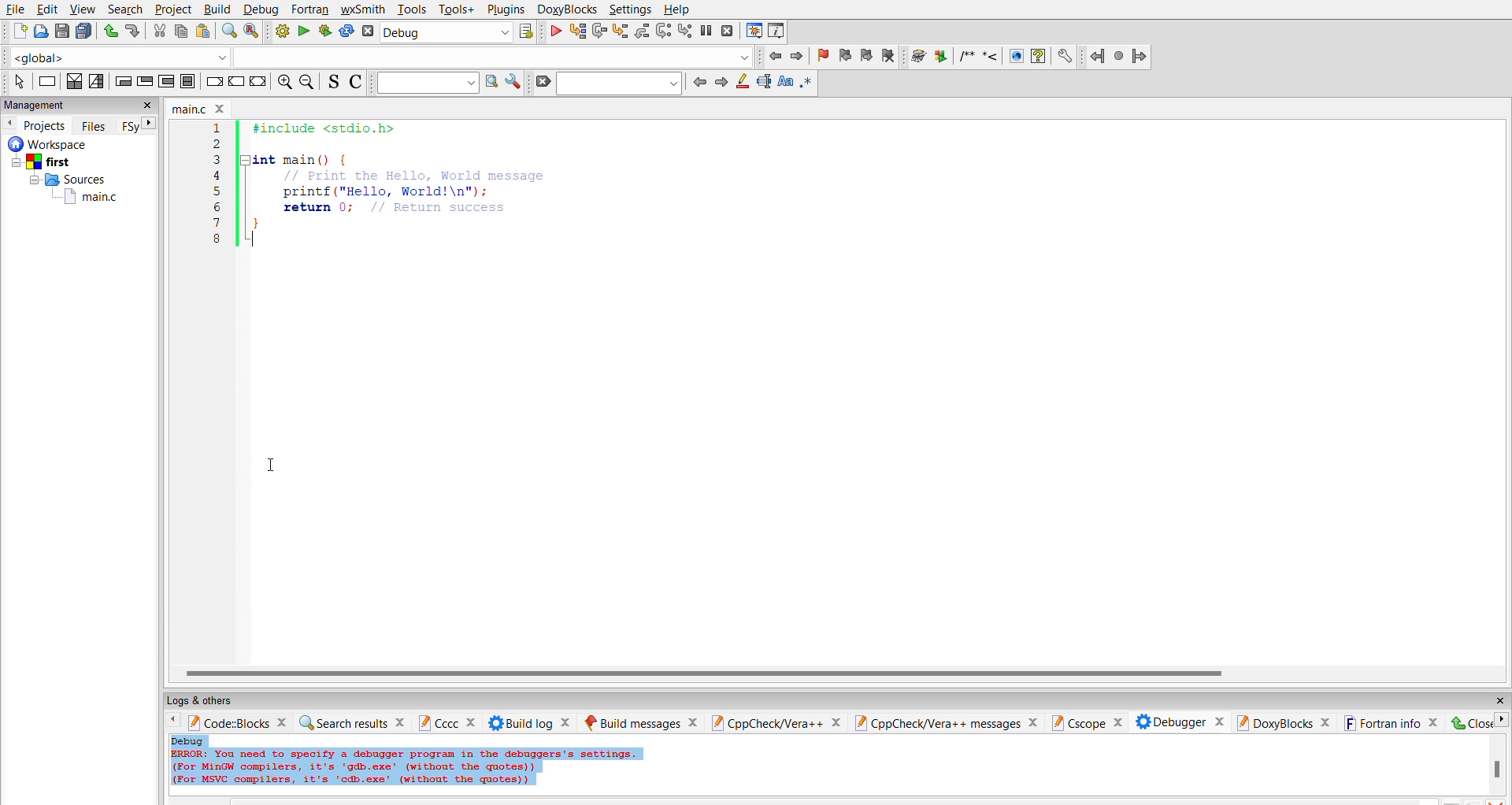  Describe the element at coordinates (346, 32) in the screenshot. I see `rebuild` at that location.